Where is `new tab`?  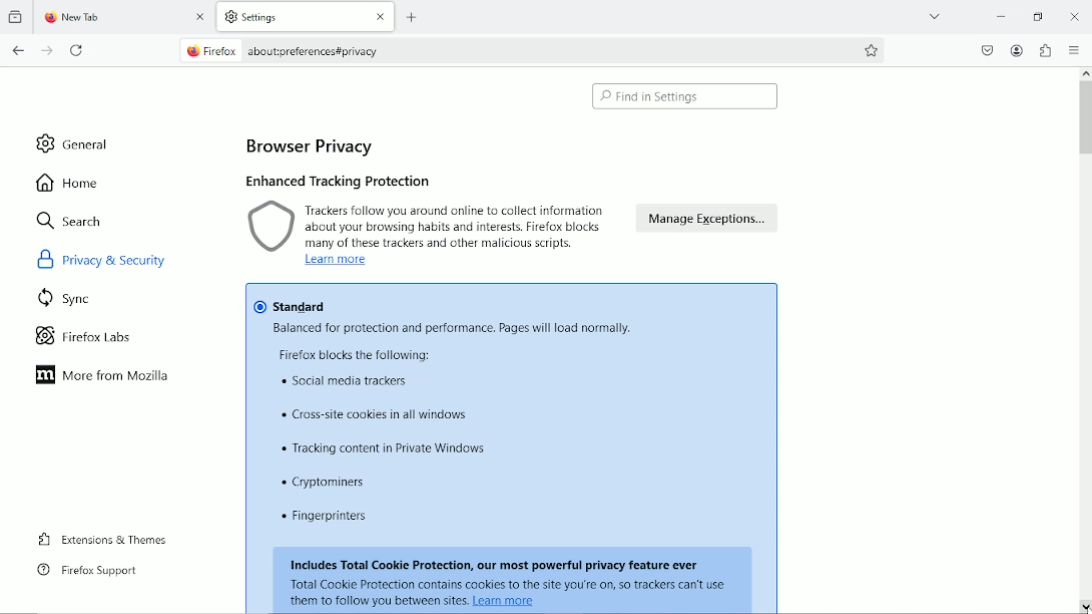 new tab is located at coordinates (414, 17).